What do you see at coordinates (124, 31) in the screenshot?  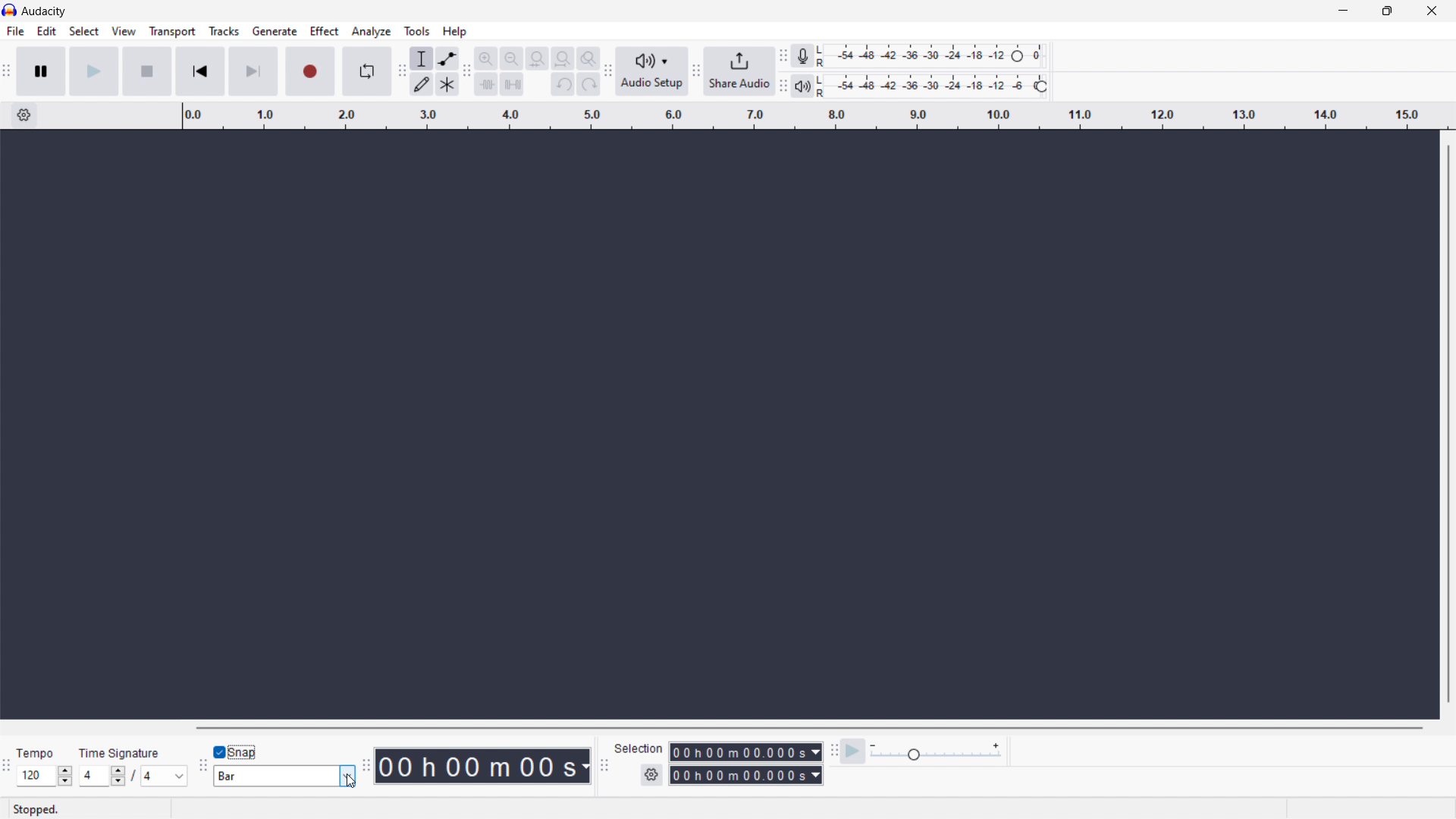 I see `view` at bounding box center [124, 31].